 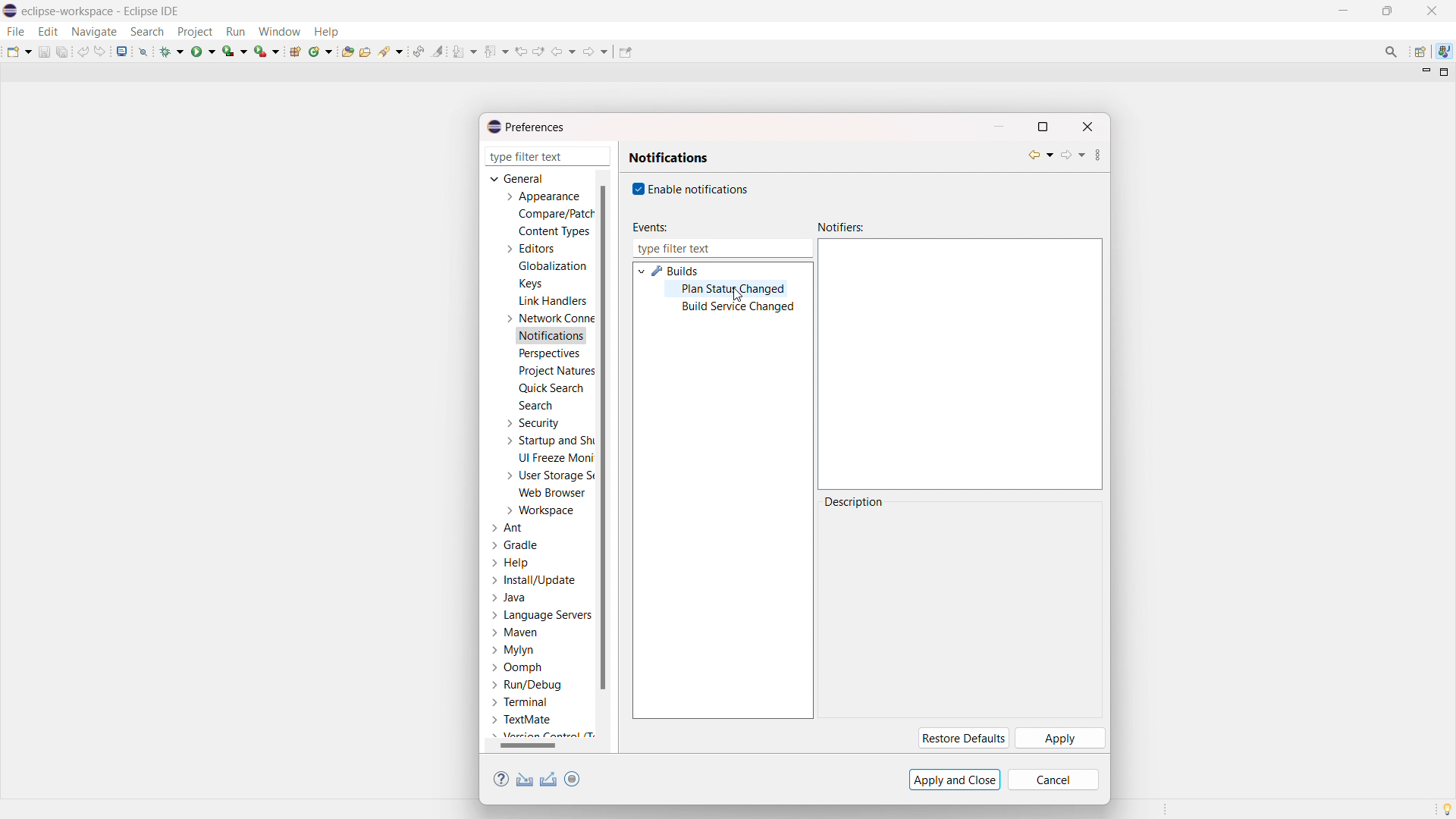 I want to click on scrollbar, so click(x=538, y=745).